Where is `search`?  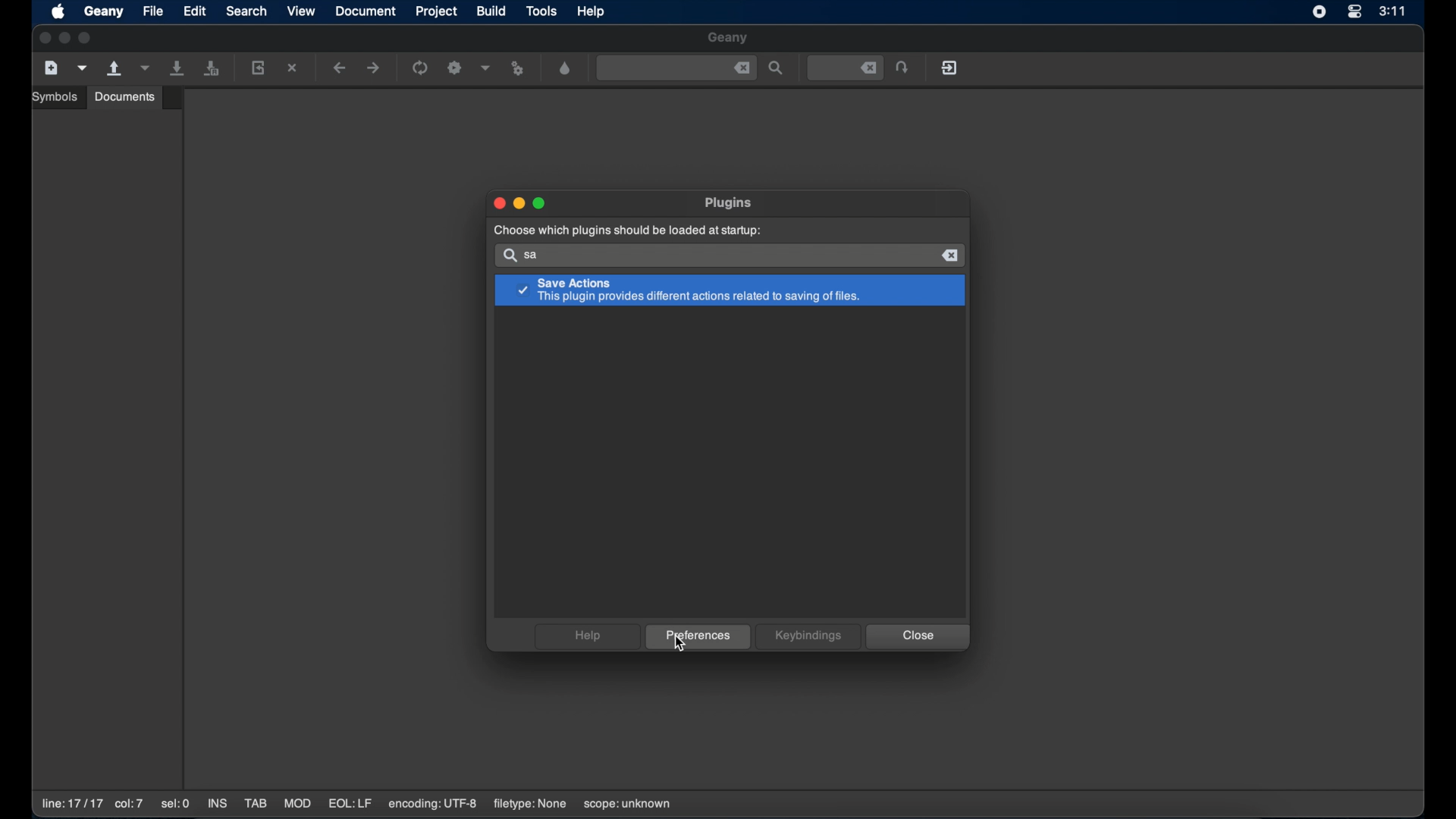
search is located at coordinates (246, 11).